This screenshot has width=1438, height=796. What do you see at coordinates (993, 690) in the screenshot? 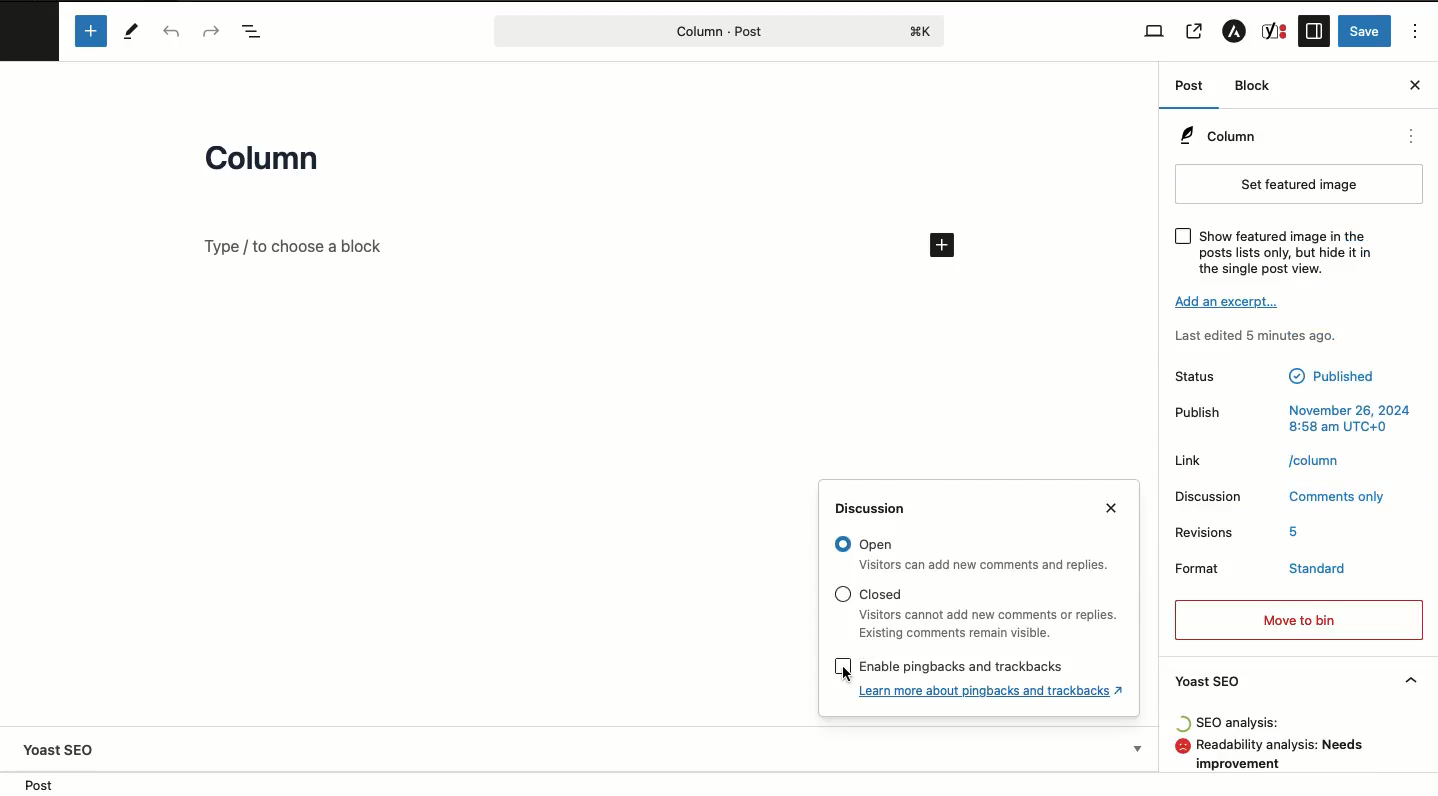
I see `Enable pingbacks and trackbacks` at bounding box center [993, 690].